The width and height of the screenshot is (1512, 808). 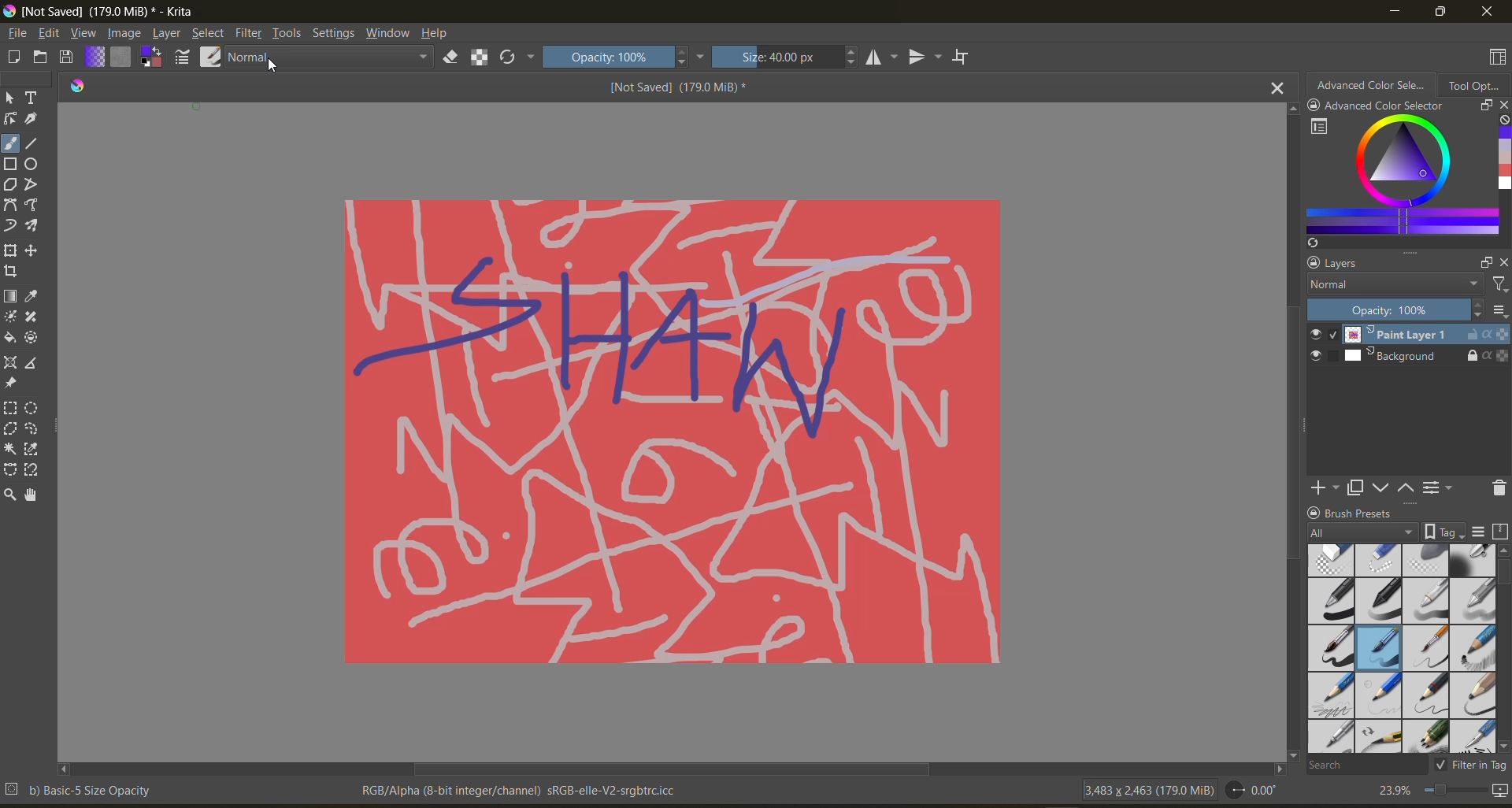 I want to click on opacity: 100%, so click(x=624, y=57).